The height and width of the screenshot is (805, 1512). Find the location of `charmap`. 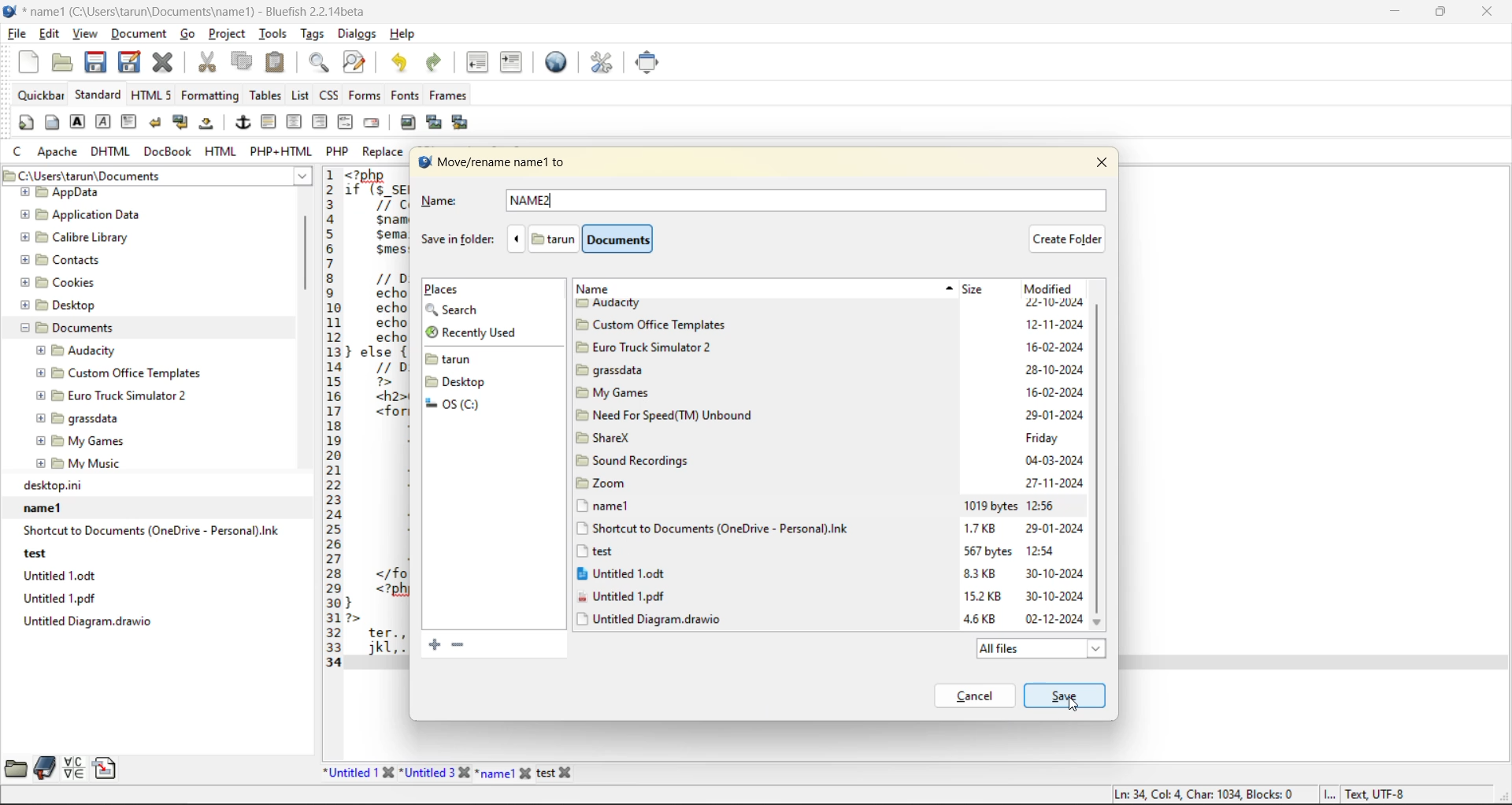

charmap is located at coordinates (74, 768).